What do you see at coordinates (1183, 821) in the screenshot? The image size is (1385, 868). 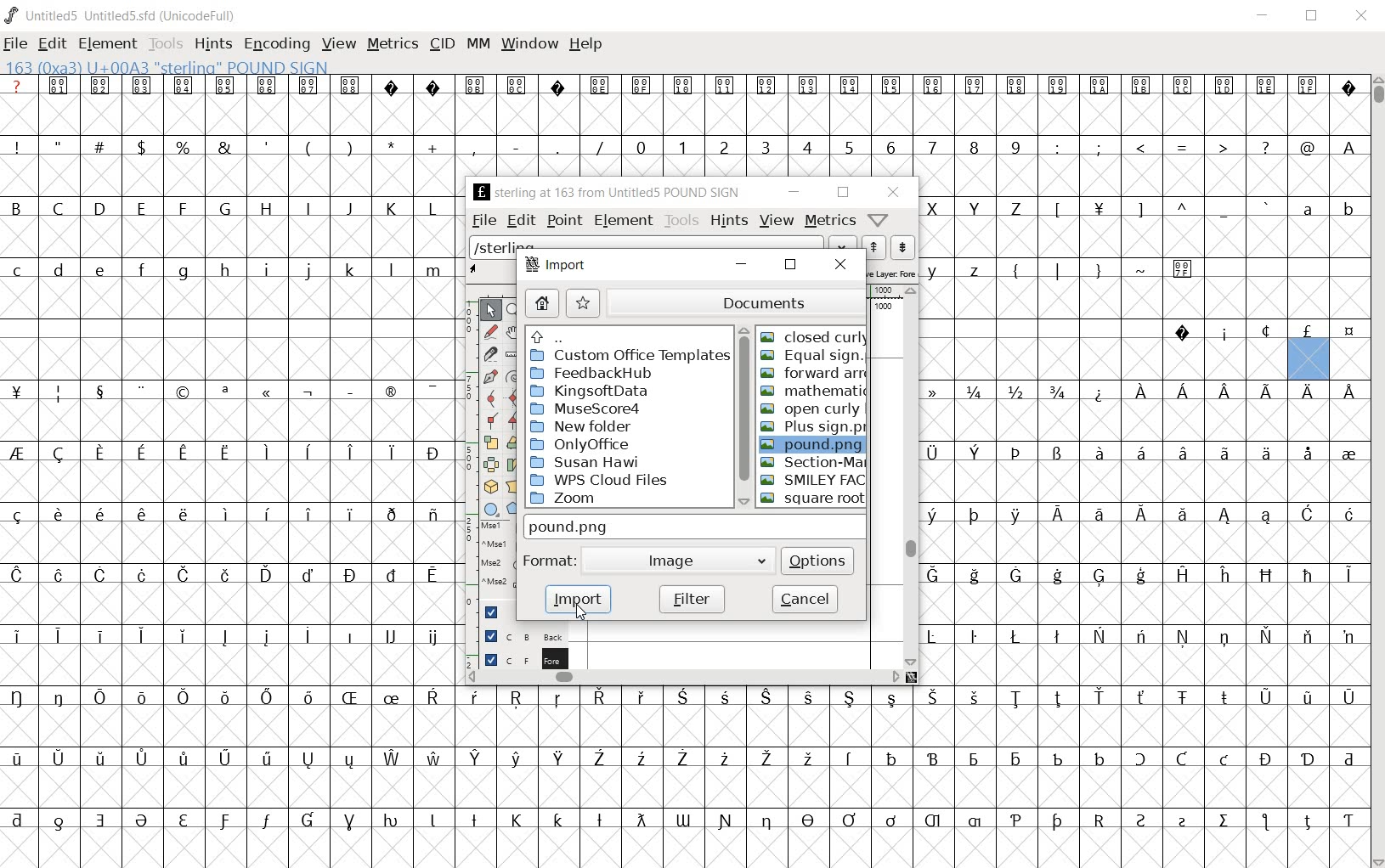 I see `Symbol` at bounding box center [1183, 821].